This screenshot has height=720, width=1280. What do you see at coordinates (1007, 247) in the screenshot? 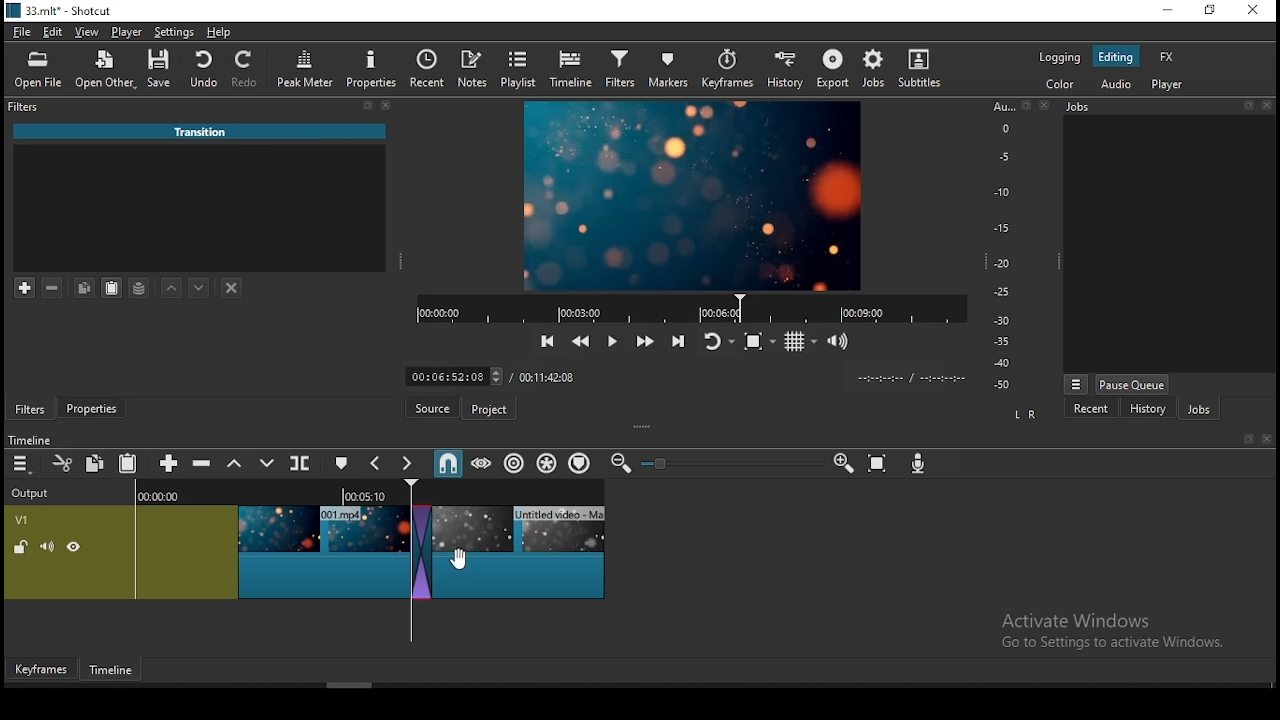
I see `scale` at bounding box center [1007, 247].